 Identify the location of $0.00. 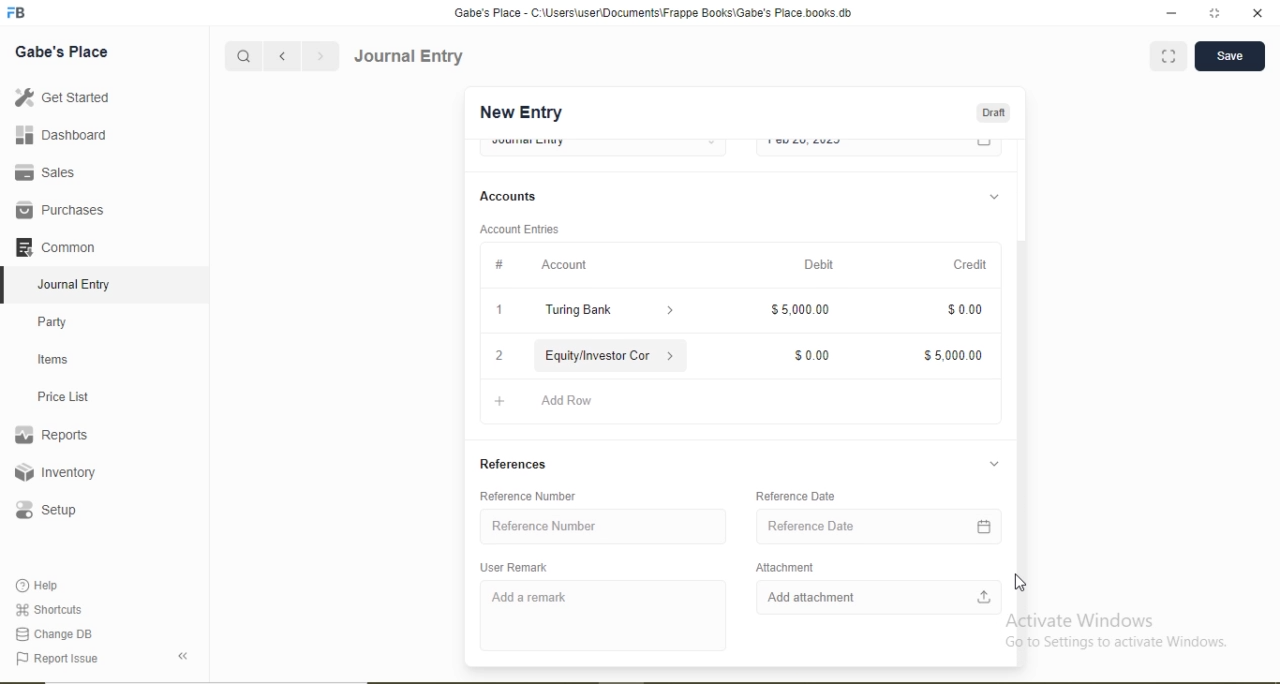
(810, 356).